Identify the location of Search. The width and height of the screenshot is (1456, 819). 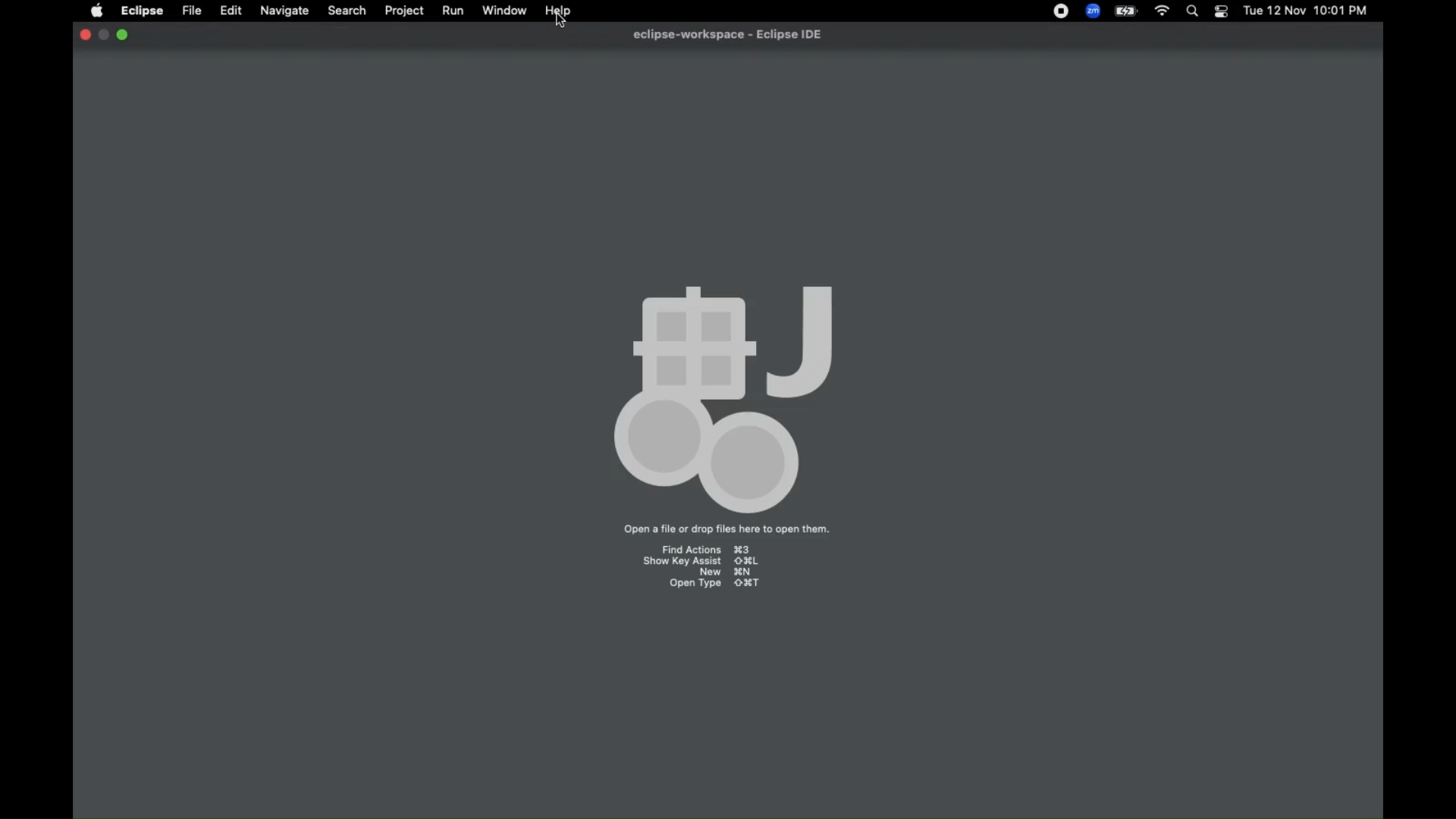
(1191, 12).